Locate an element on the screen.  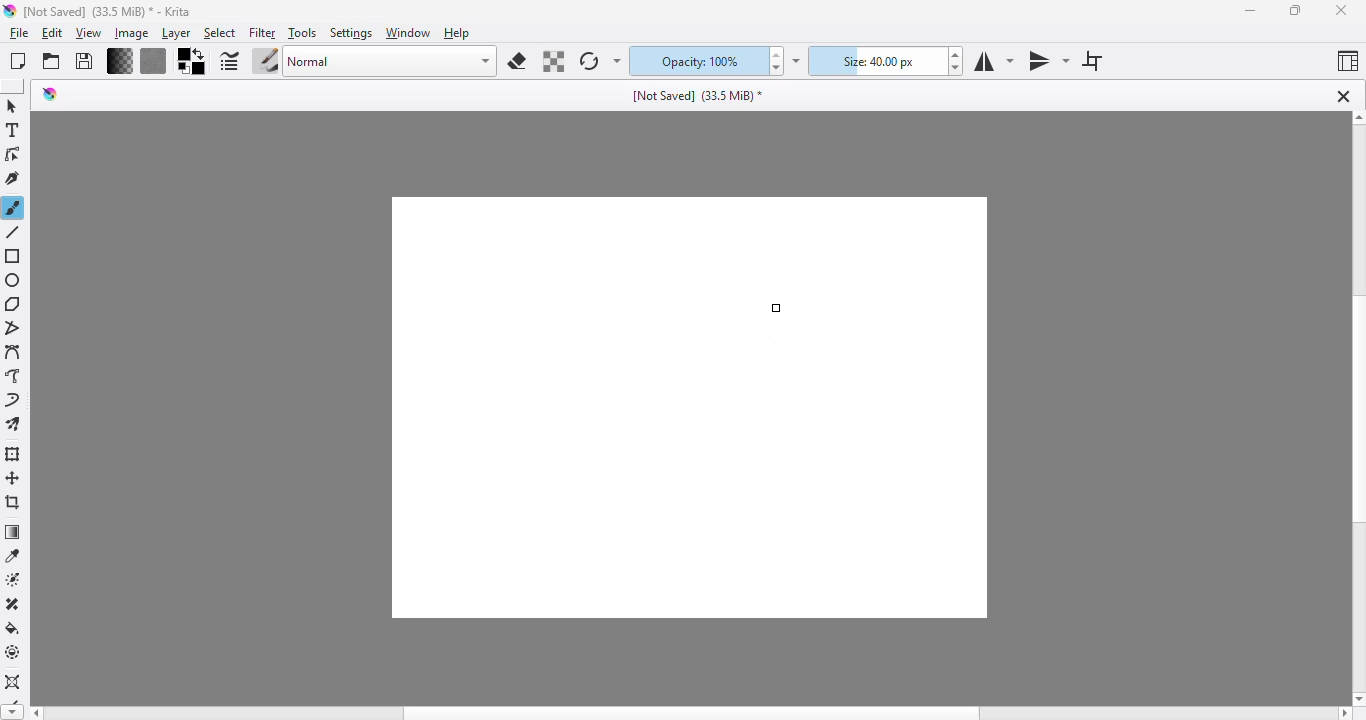
reload original preset is located at coordinates (588, 61).